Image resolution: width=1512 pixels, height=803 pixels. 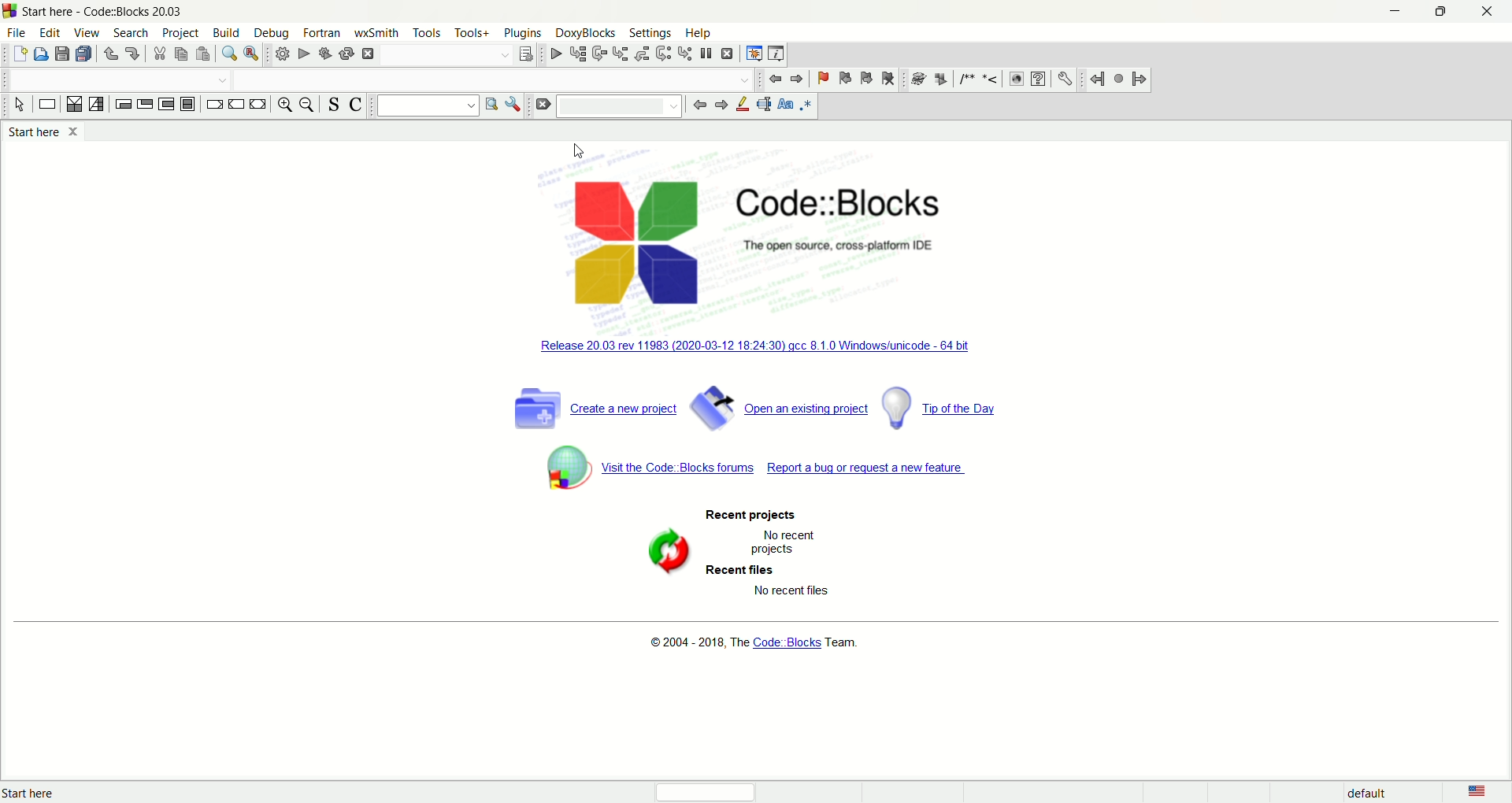 What do you see at coordinates (1490, 11) in the screenshot?
I see `close` at bounding box center [1490, 11].